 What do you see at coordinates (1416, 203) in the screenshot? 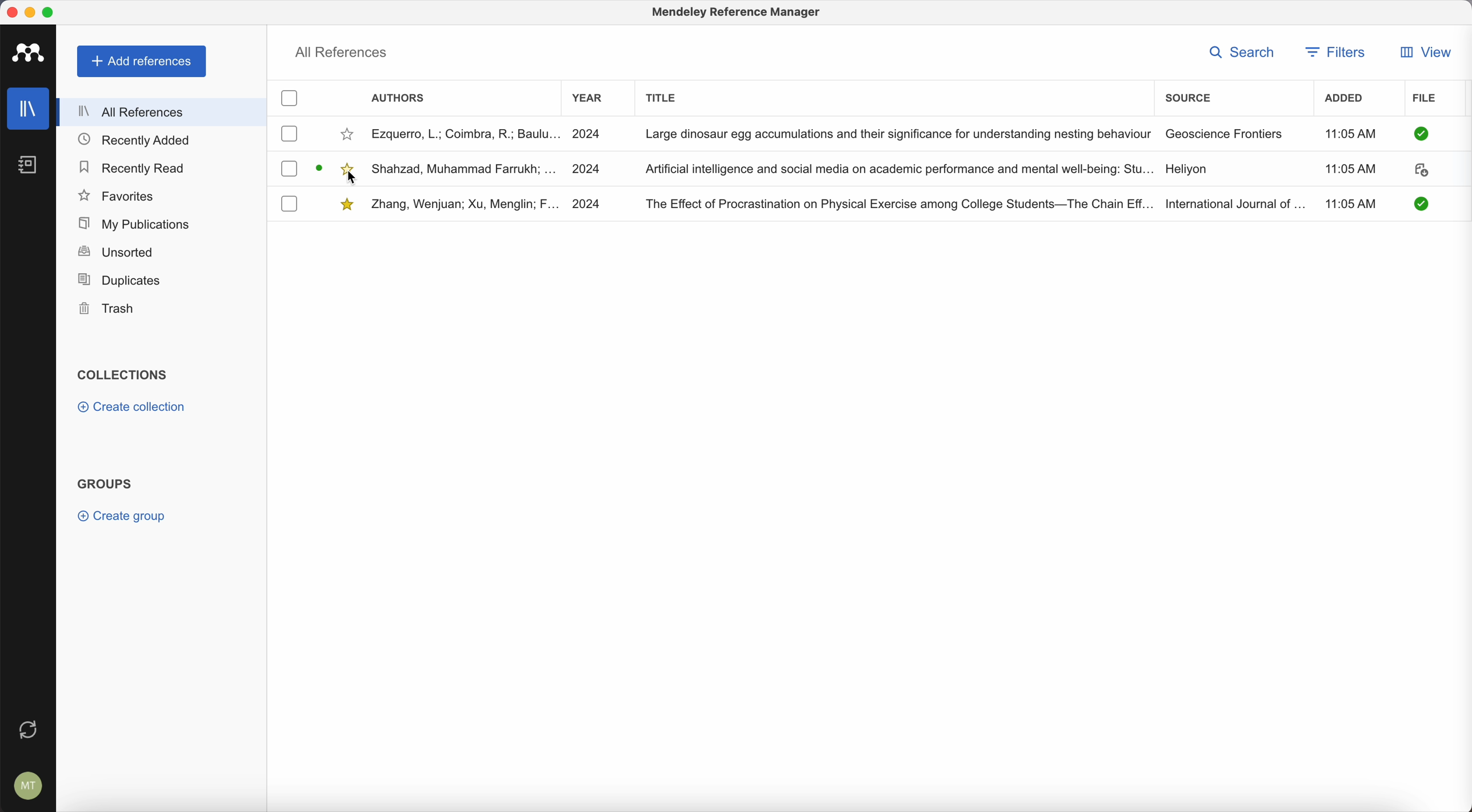
I see `pdf downloaded` at bounding box center [1416, 203].